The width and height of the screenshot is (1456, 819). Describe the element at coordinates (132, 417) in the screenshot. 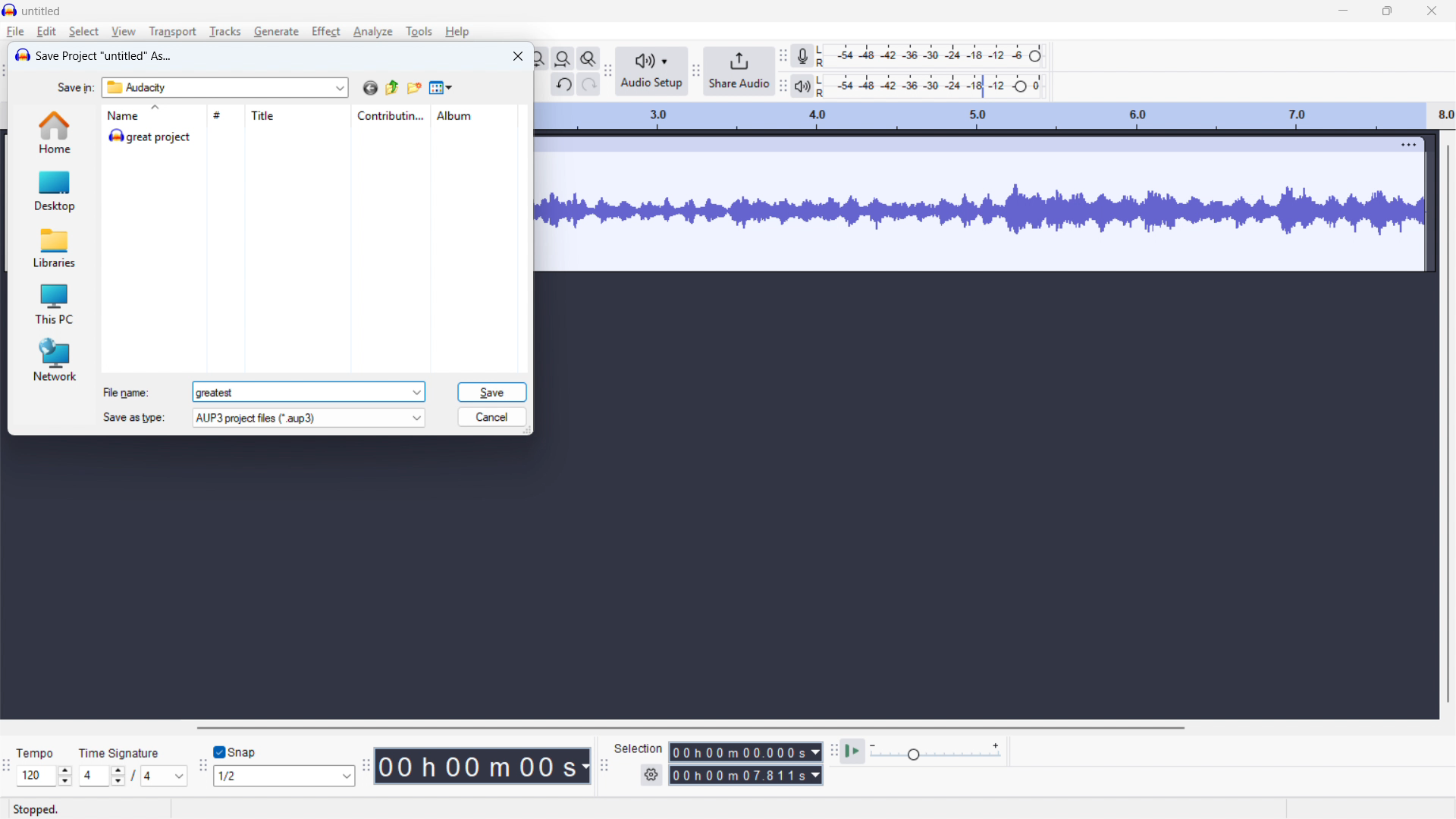

I see `save as type` at that location.